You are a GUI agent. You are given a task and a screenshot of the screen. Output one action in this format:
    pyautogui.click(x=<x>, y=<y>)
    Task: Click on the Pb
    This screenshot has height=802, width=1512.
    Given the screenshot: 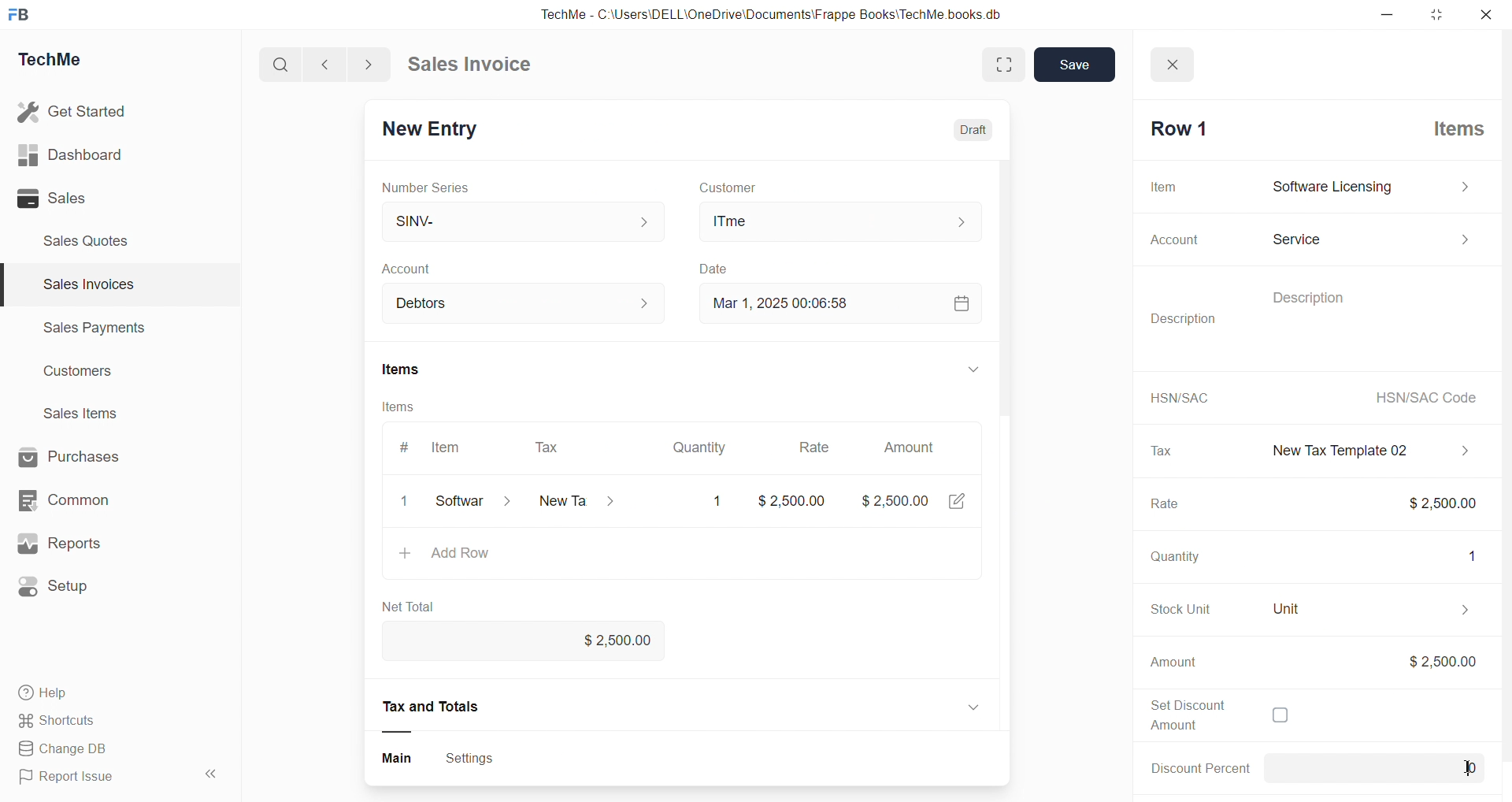 What is the action you would take?
    pyautogui.click(x=1400, y=768)
    